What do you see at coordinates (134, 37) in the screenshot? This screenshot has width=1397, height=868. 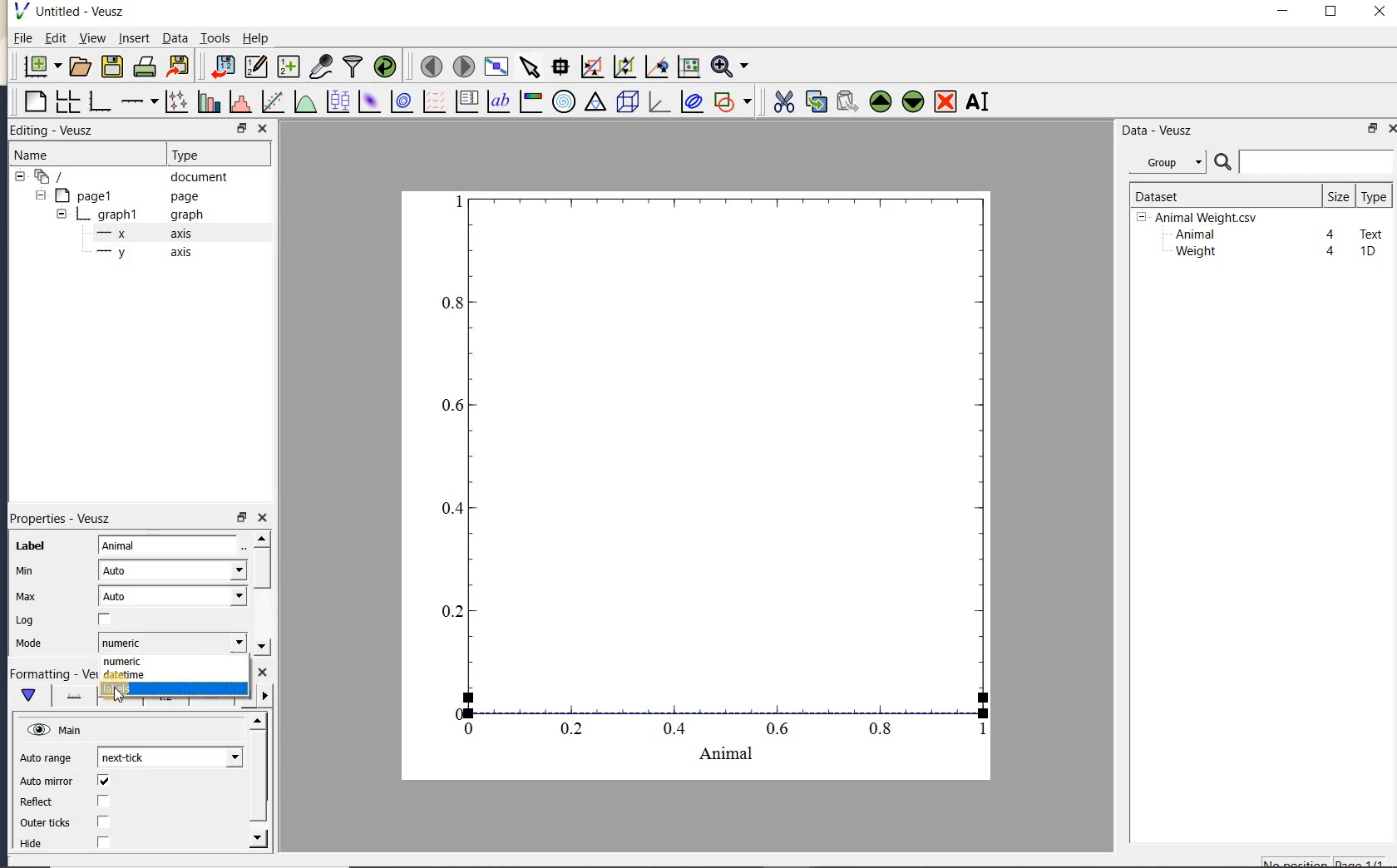 I see `insert` at bounding box center [134, 37].